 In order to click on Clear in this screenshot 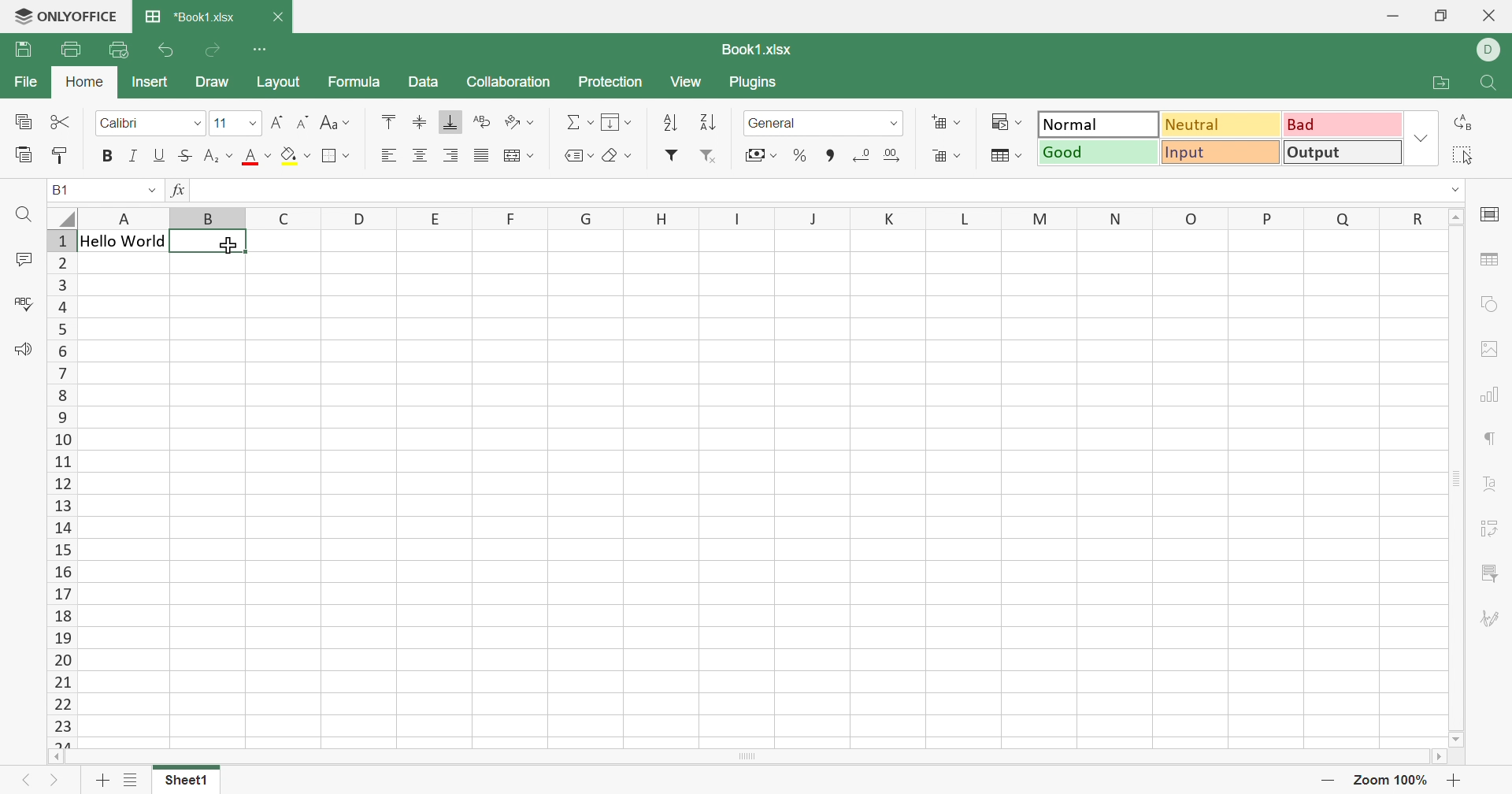, I will do `click(615, 157)`.